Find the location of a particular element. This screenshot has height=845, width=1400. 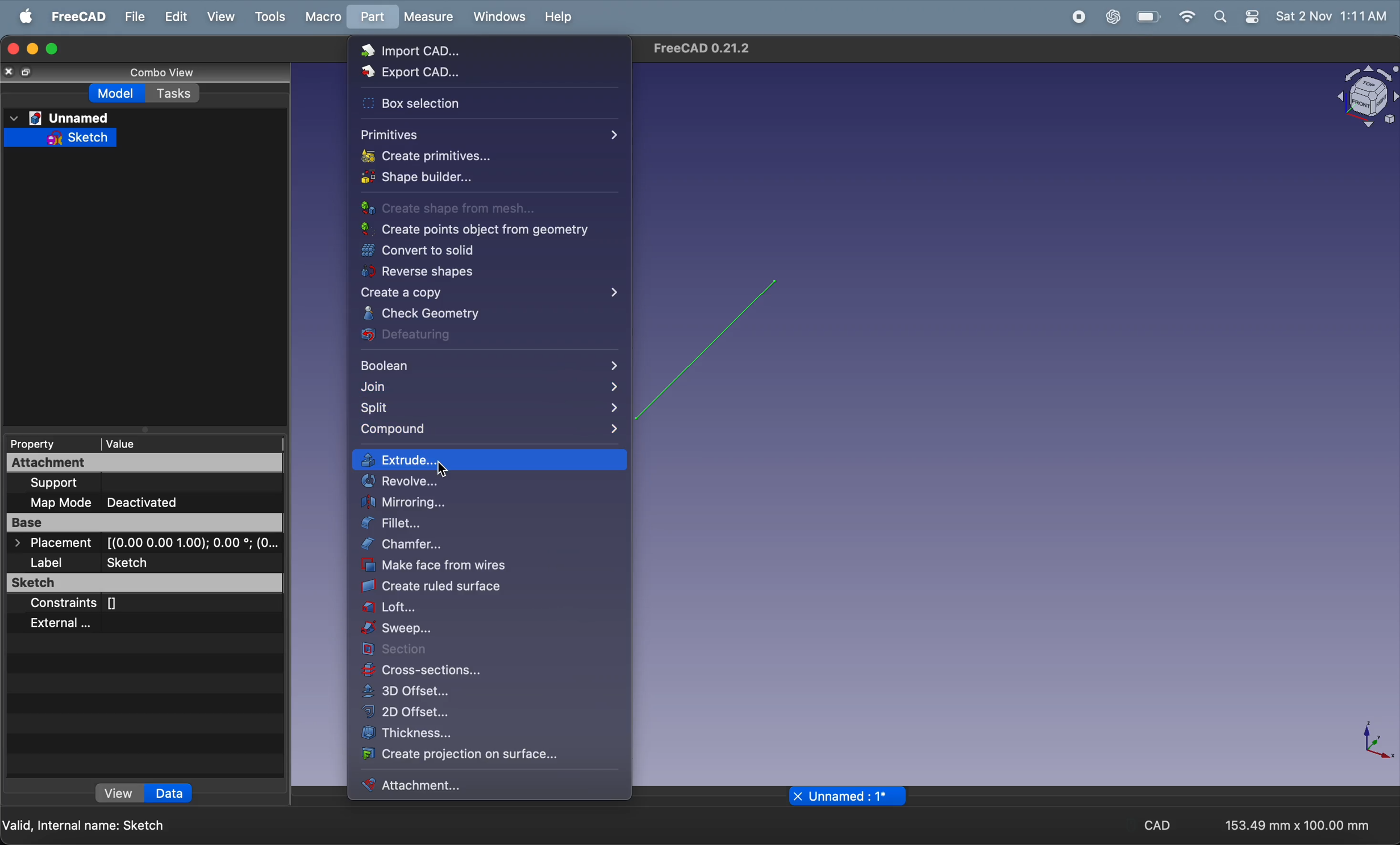

axis is located at coordinates (1362, 742).